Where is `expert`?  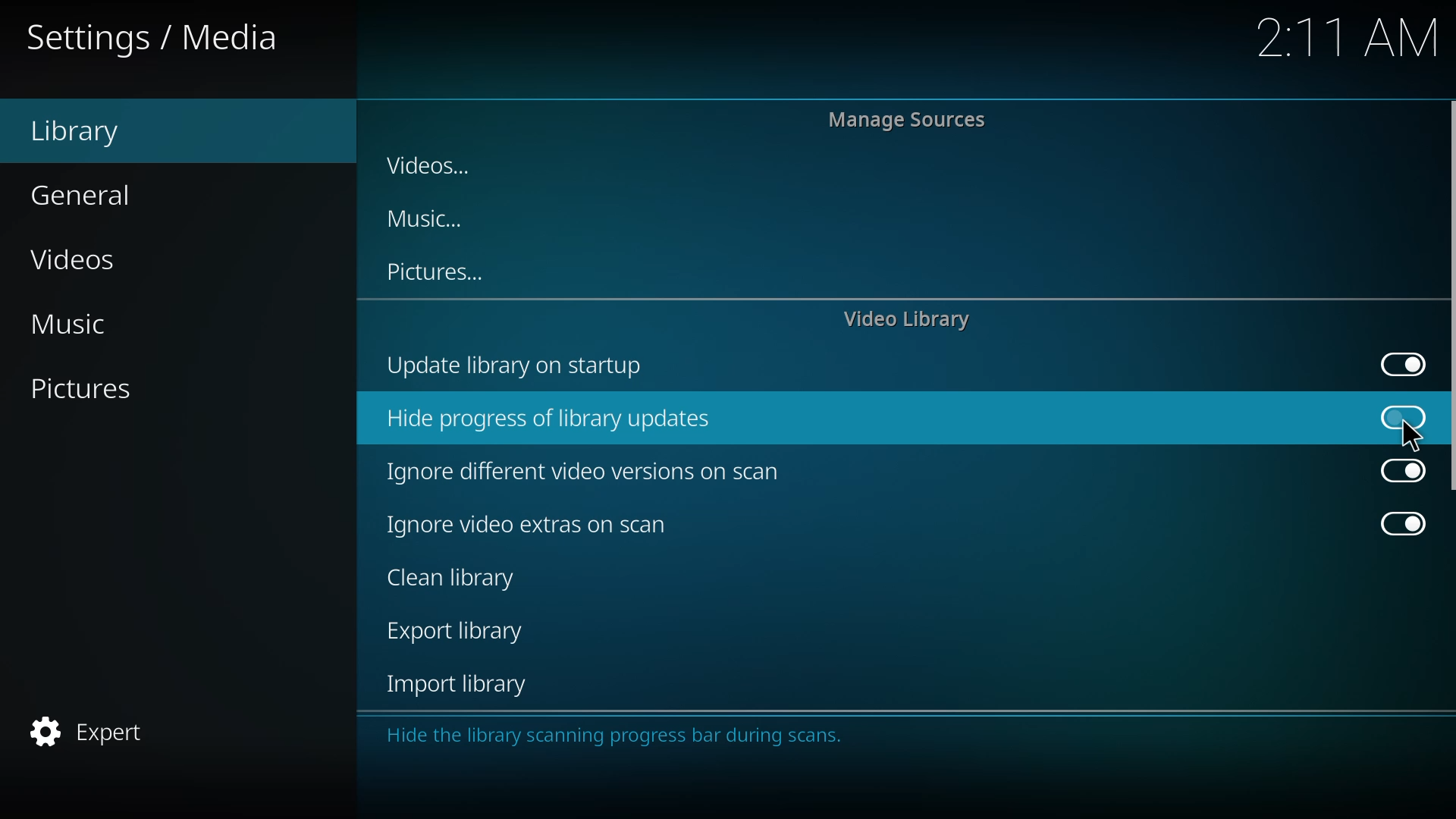 expert is located at coordinates (88, 731).